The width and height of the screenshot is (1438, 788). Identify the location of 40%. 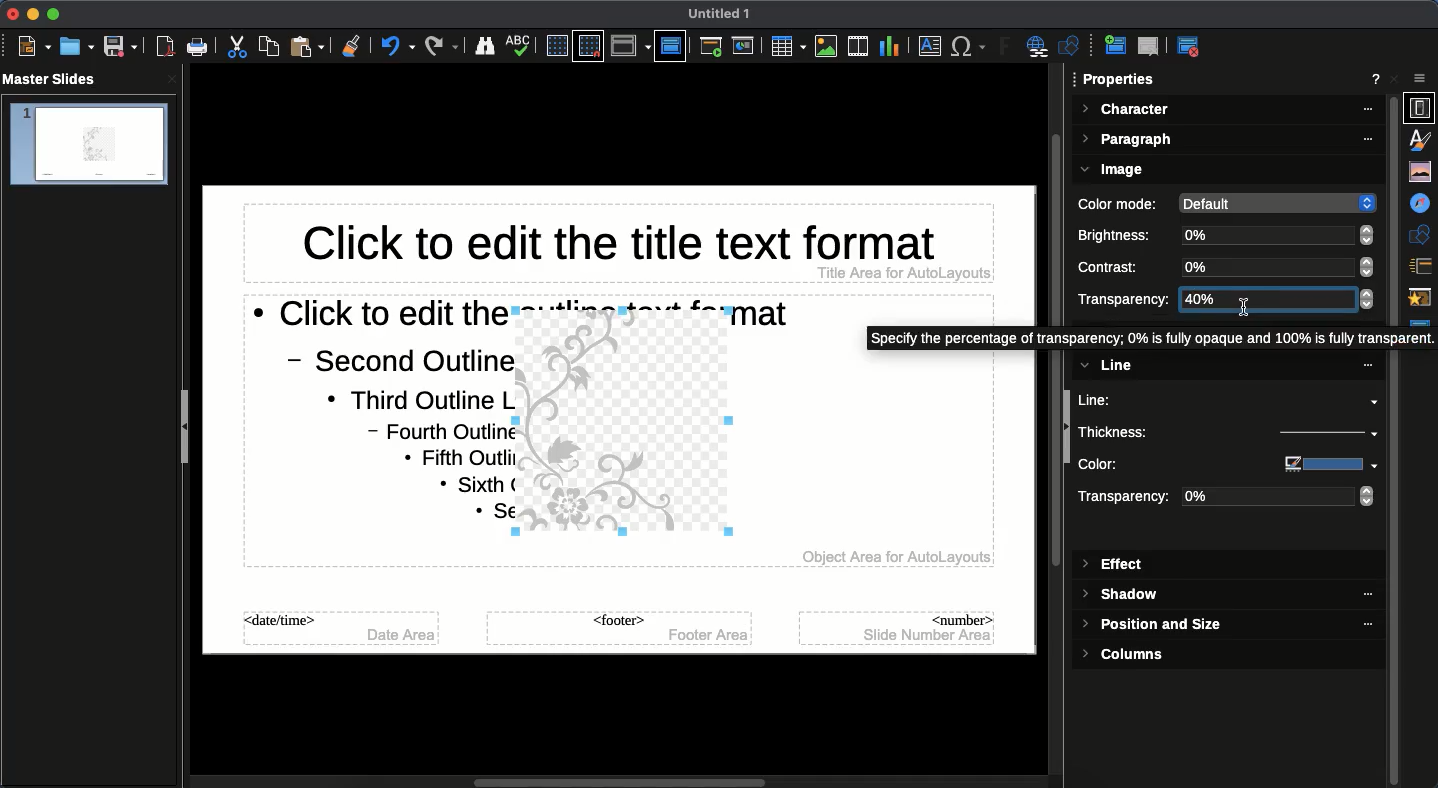
(1274, 299).